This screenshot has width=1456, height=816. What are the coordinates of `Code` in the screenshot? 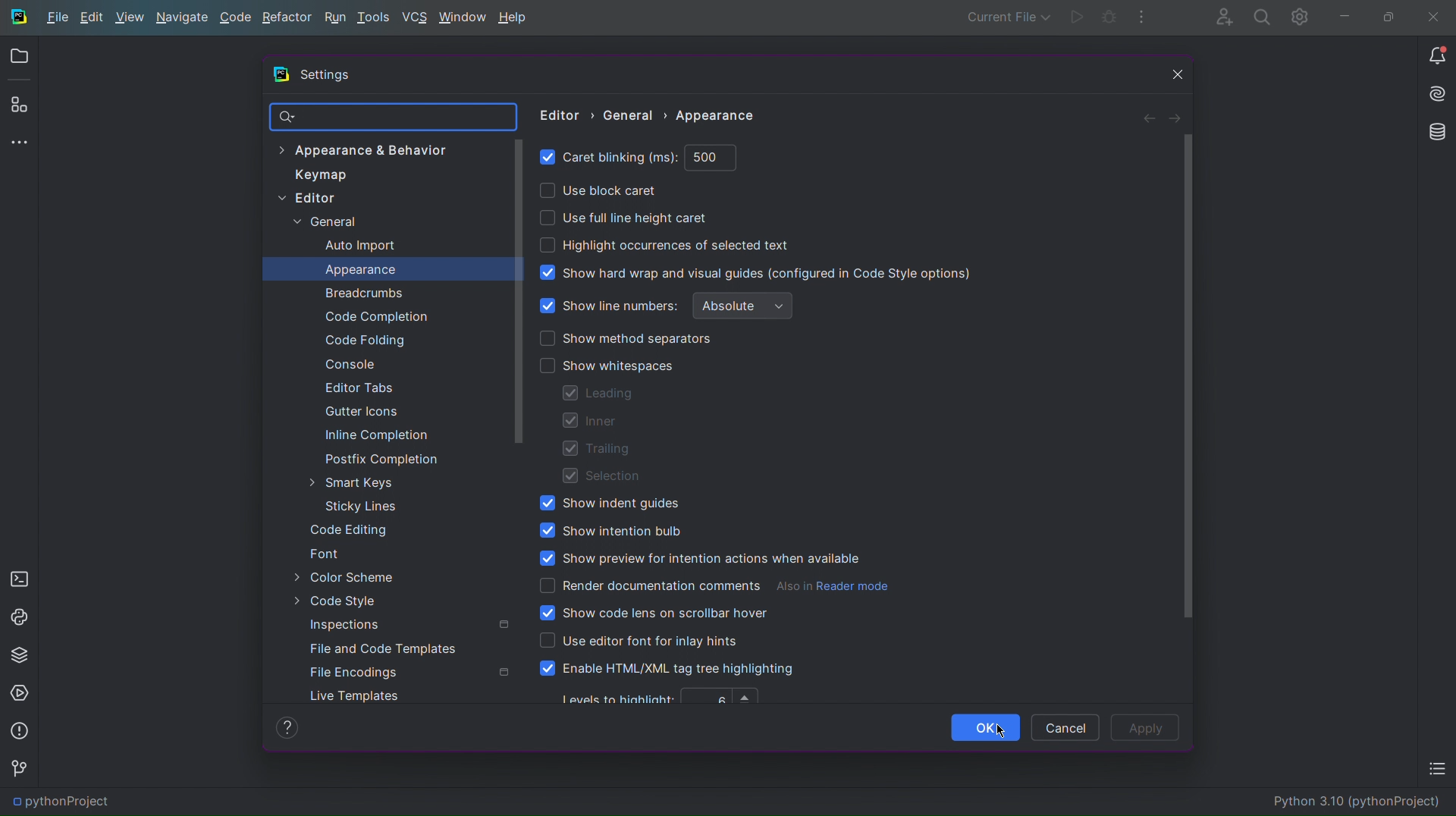 It's located at (237, 17).